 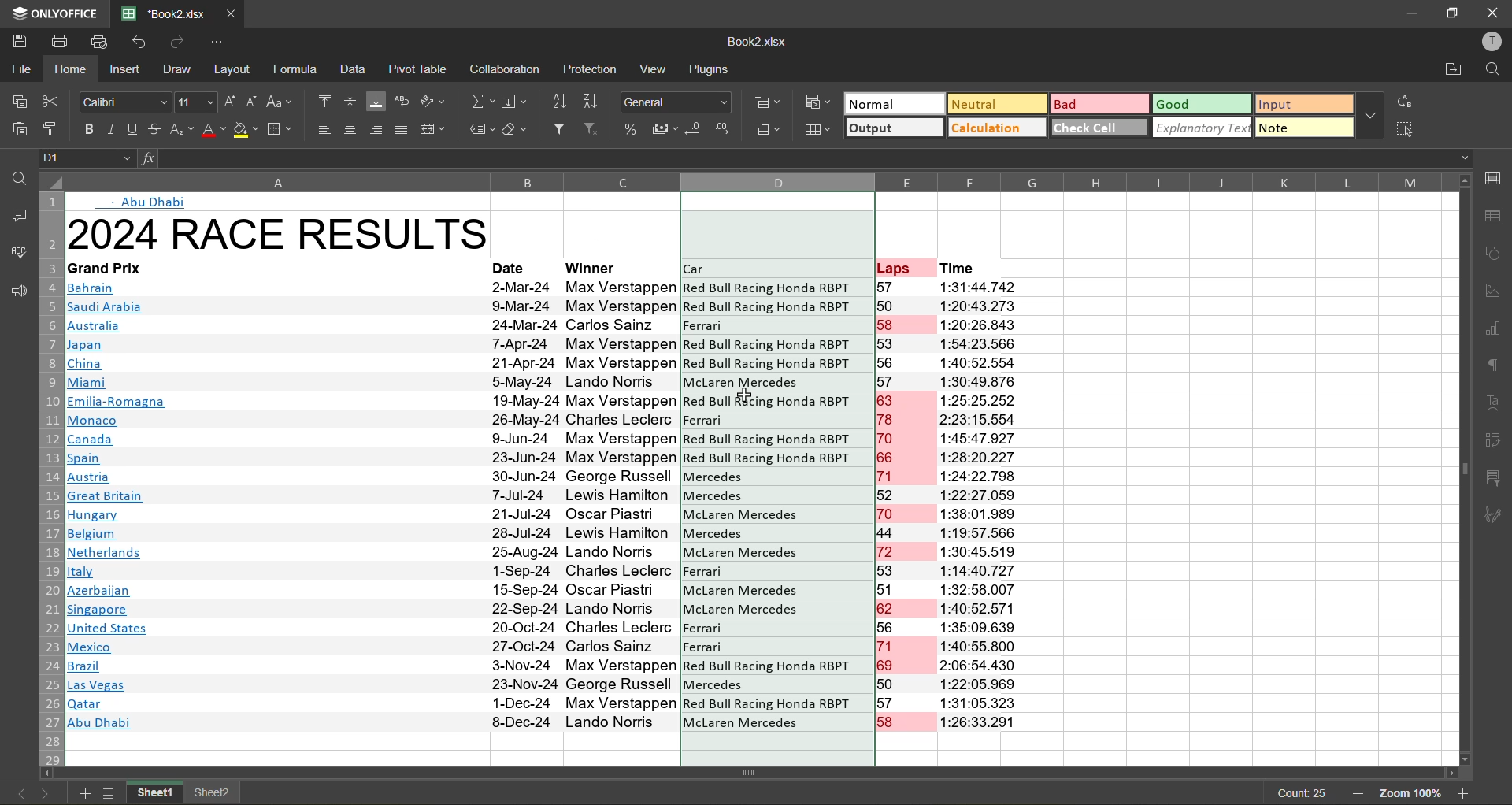 What do you see at coordinates (222, 42) in the screenshot?
I see `customize quick access toolbar` at bounding box center [222, 42].